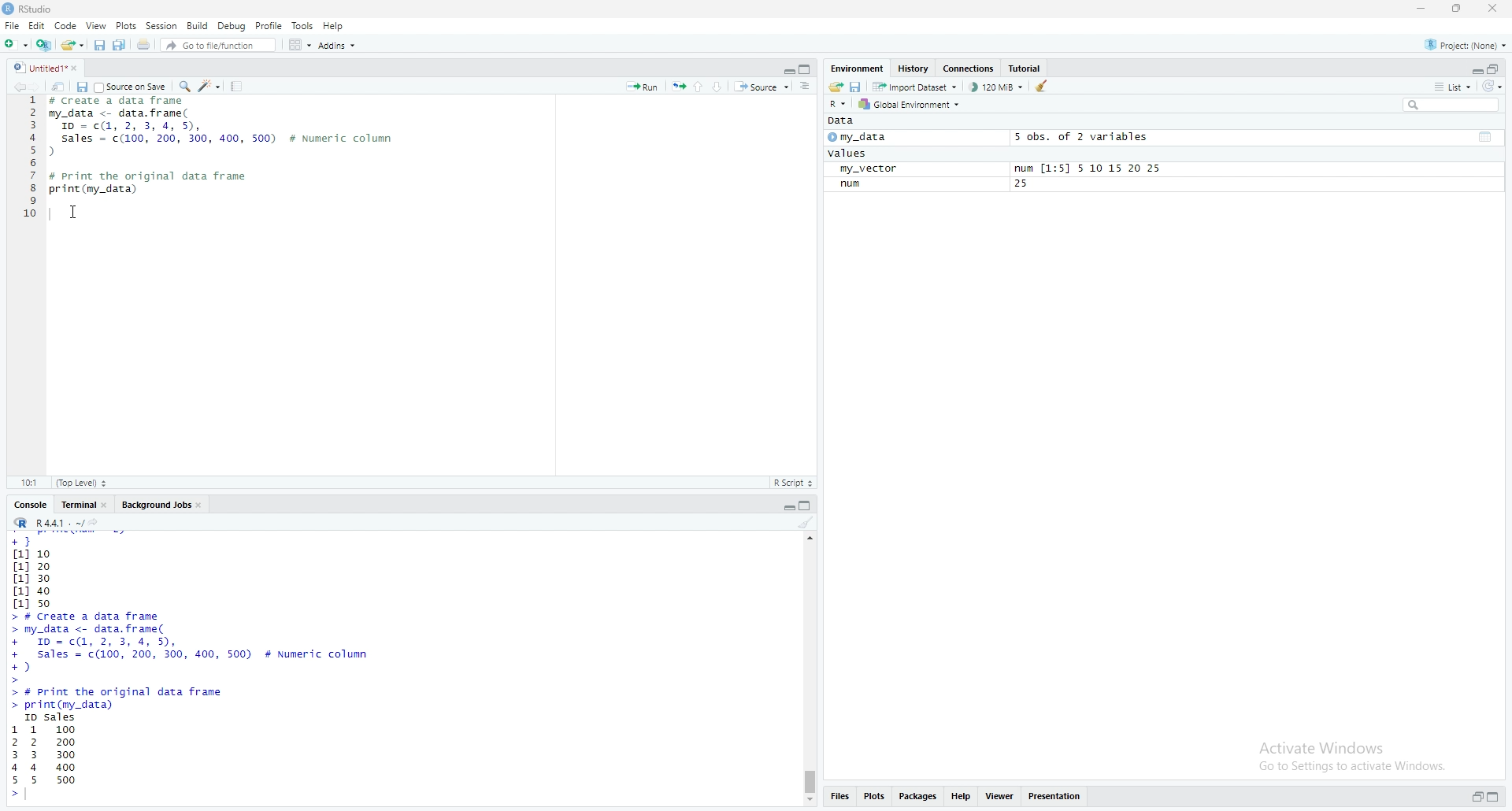  I want to click on Project:(None), so click(1469, 43).